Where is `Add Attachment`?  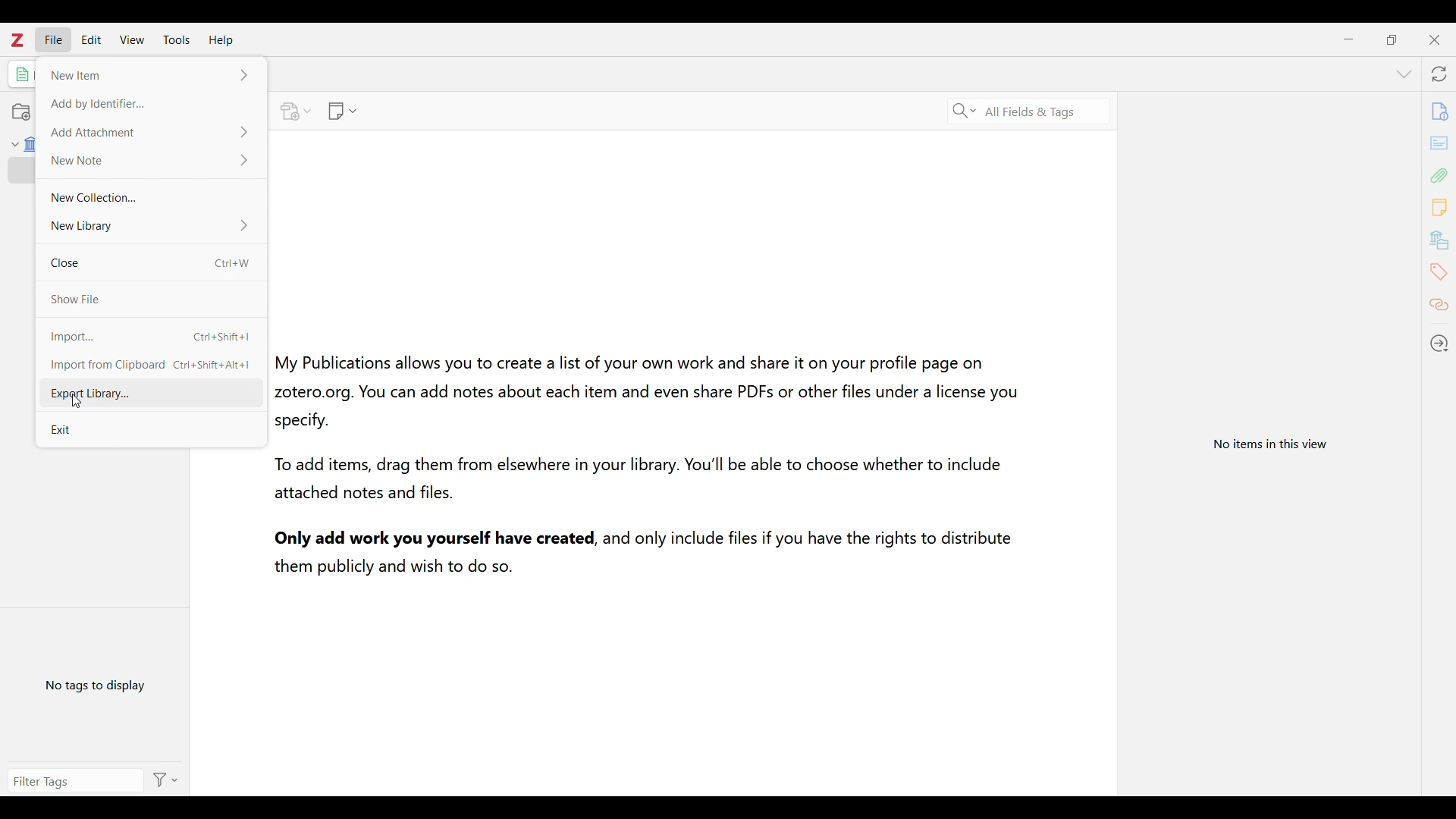
Add Attachment is located at coordinates (152, 133).